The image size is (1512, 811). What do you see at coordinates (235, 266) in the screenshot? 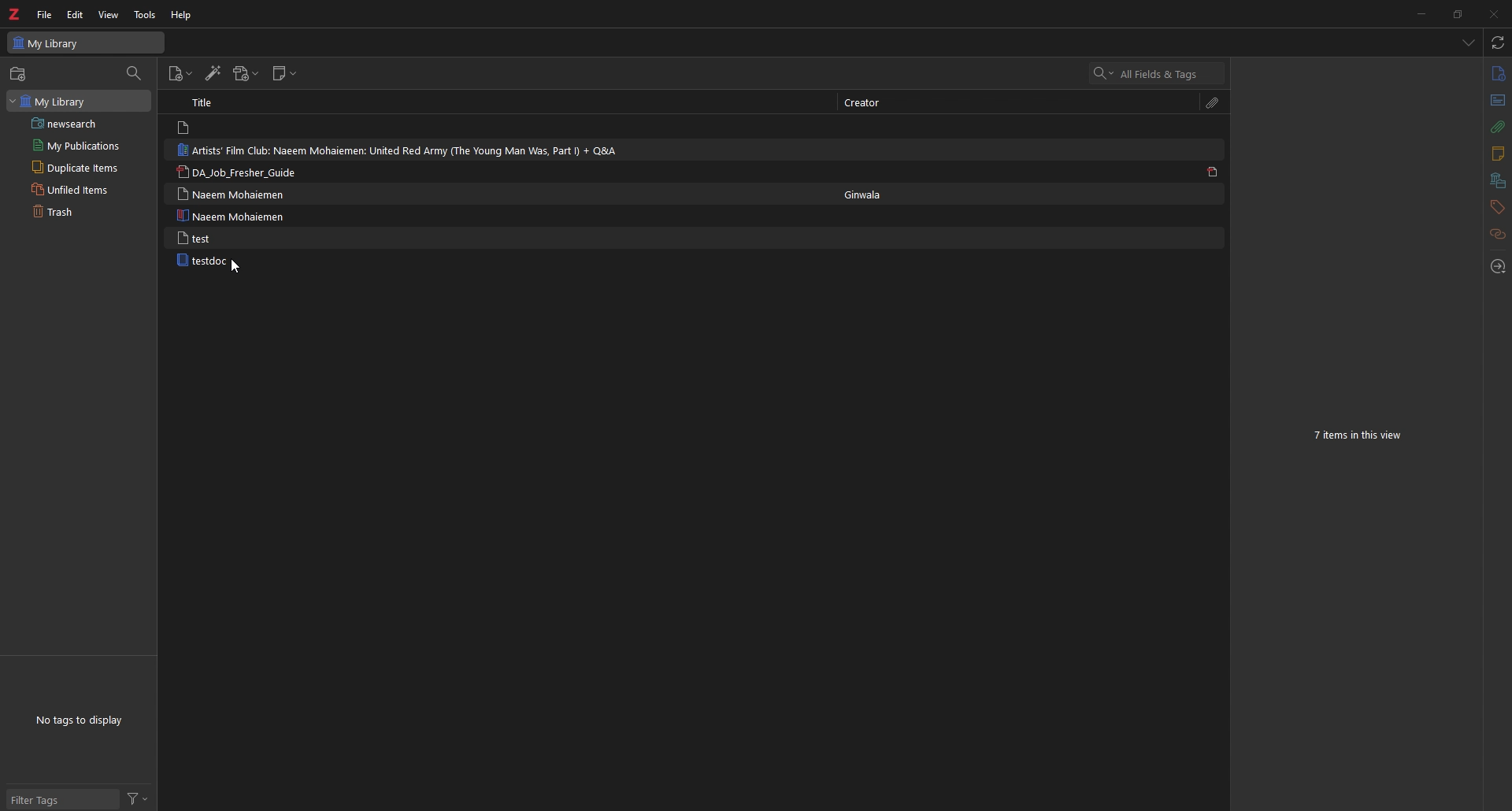
I see `cursor` at bounding box center [235, 266].